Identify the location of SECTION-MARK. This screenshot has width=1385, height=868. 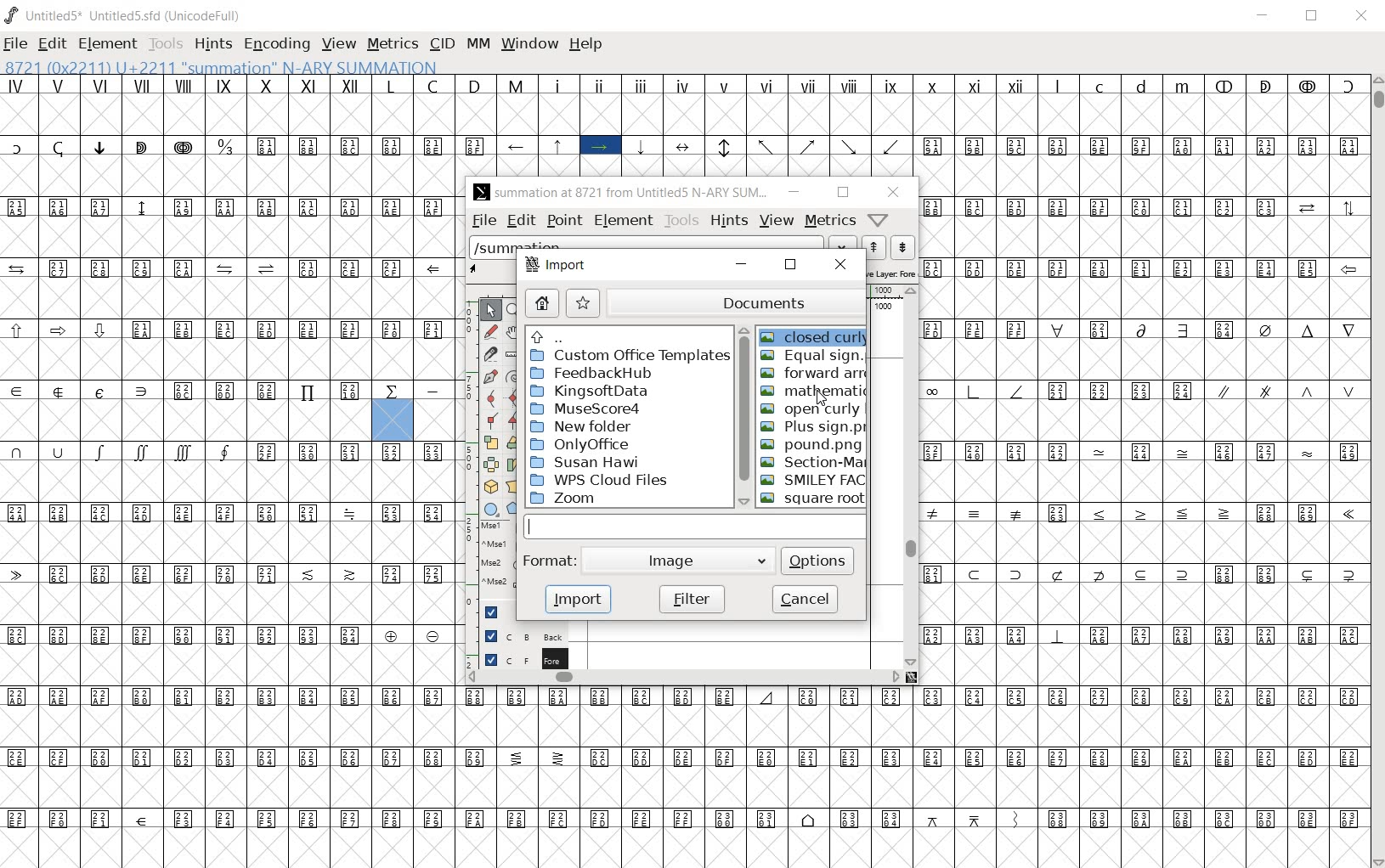
(812, 461).